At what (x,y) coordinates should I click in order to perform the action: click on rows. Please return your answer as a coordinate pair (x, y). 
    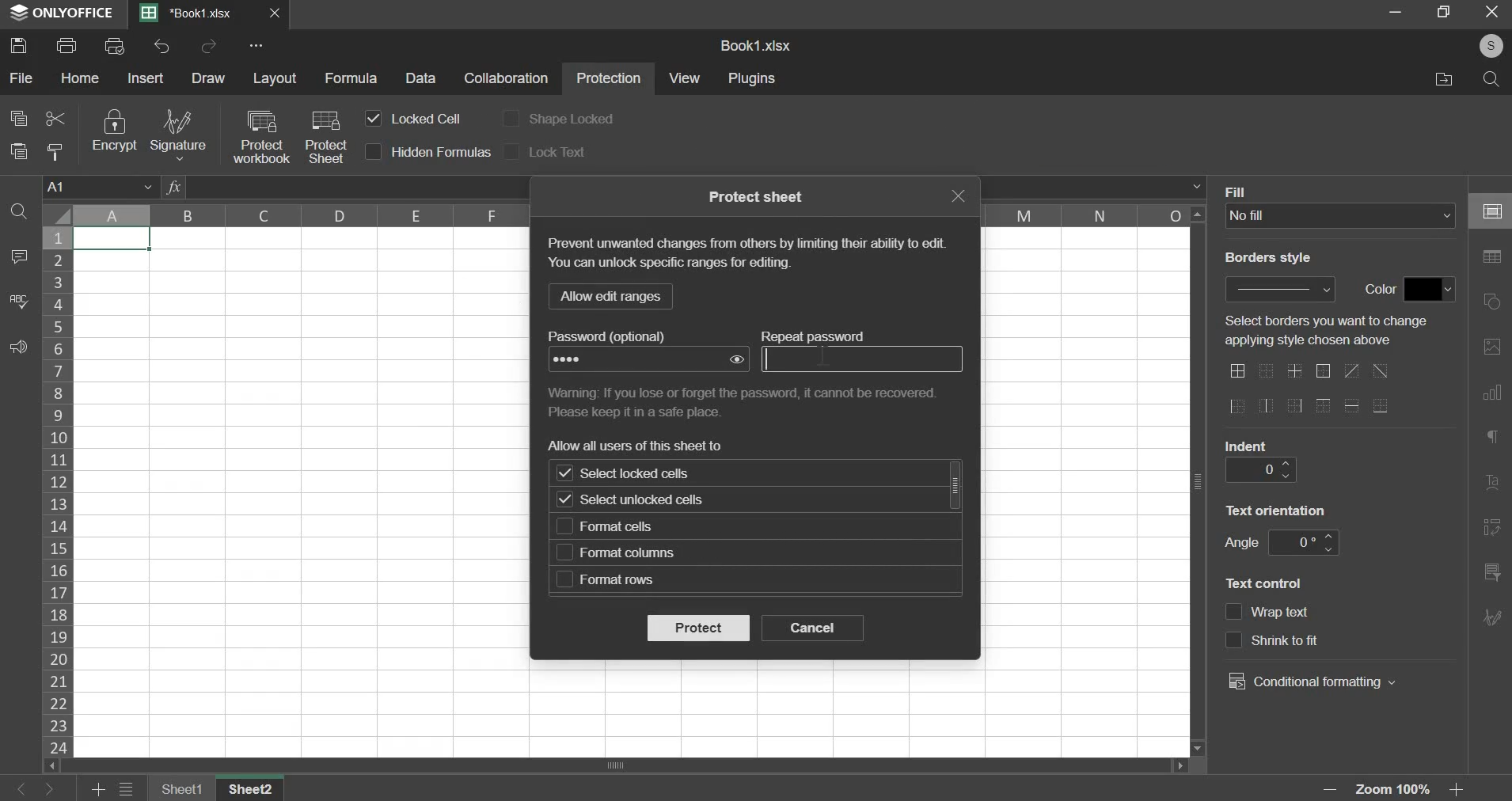
    Looking at the image, I should click on (58, 490).